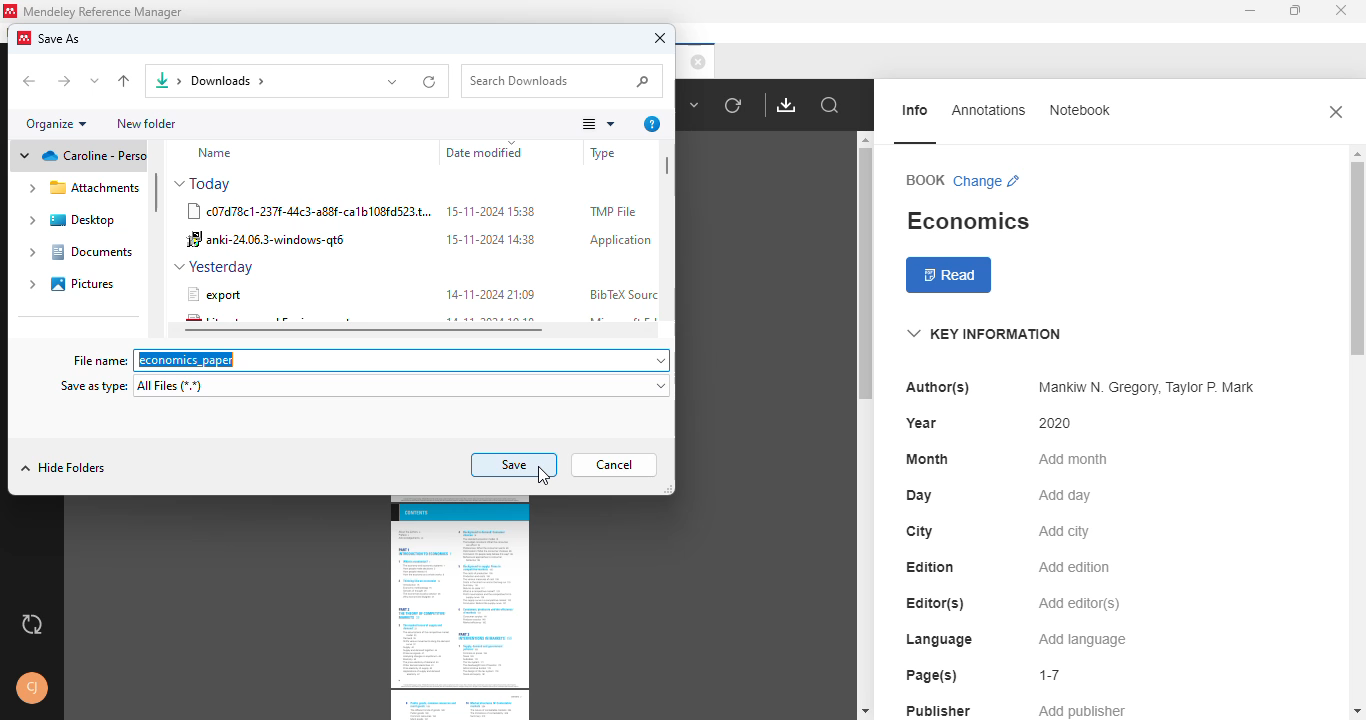 Image resolution: width=1366 pixels, height=720 pixels. What do you see at coordinates (938, 387) in the screenshot?
I see `author(s)` at bounding box center [938, 387].